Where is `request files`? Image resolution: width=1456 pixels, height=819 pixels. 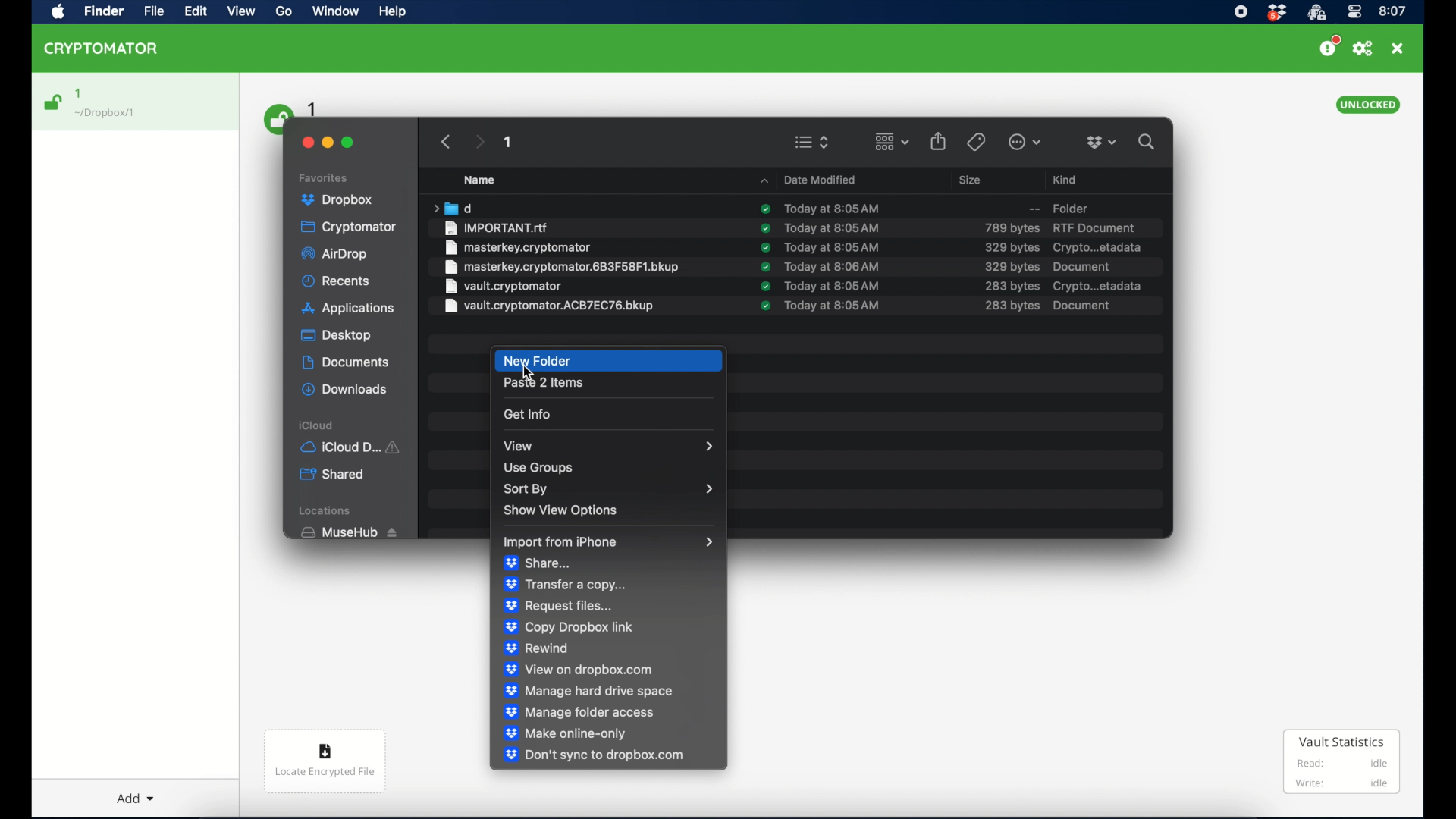
request files is located at coordinates (559, 605).